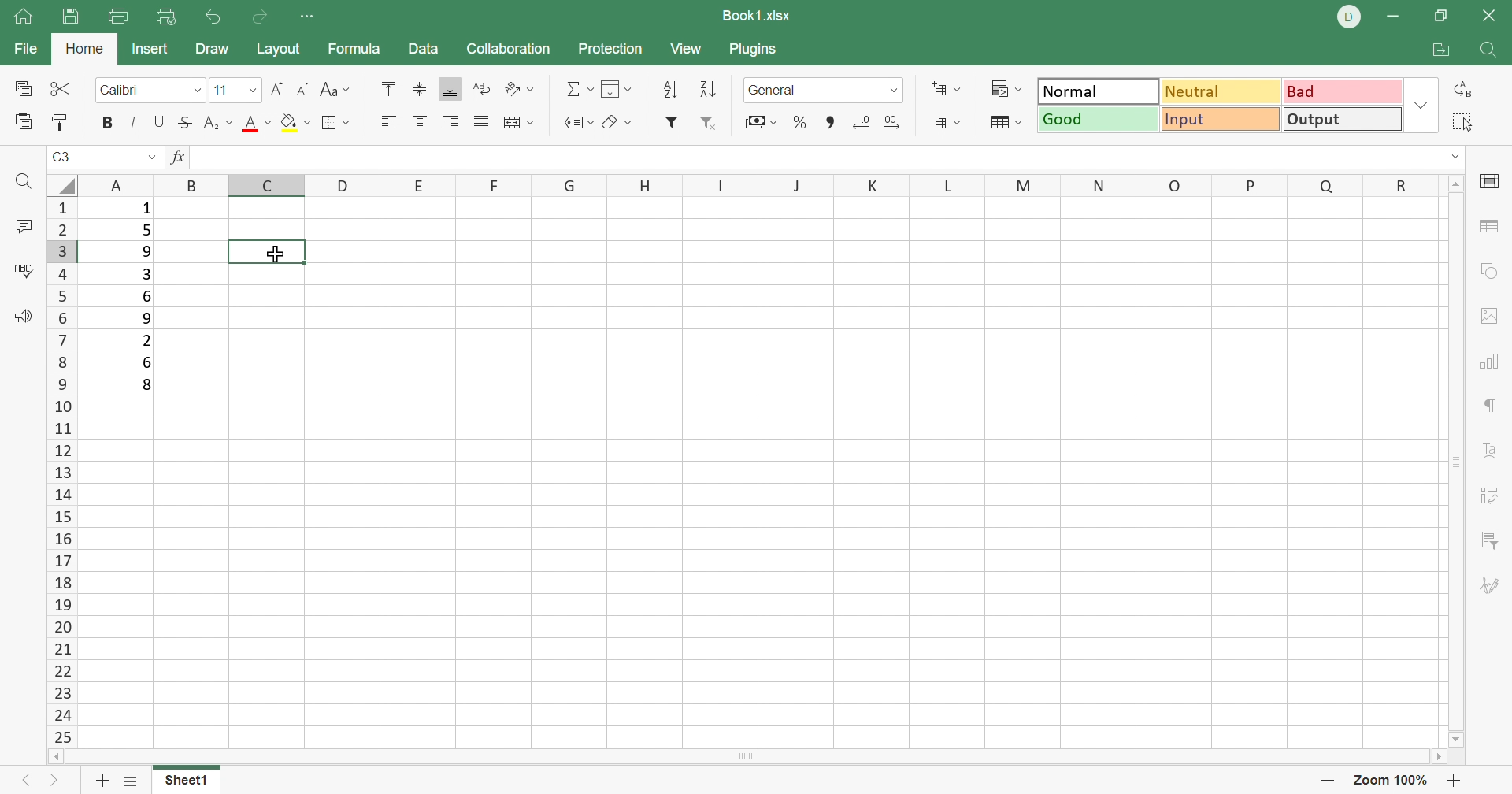 Image resolution: width=1512 pixels, height=794 pixels. I want to click on 8, so click(145, 386).